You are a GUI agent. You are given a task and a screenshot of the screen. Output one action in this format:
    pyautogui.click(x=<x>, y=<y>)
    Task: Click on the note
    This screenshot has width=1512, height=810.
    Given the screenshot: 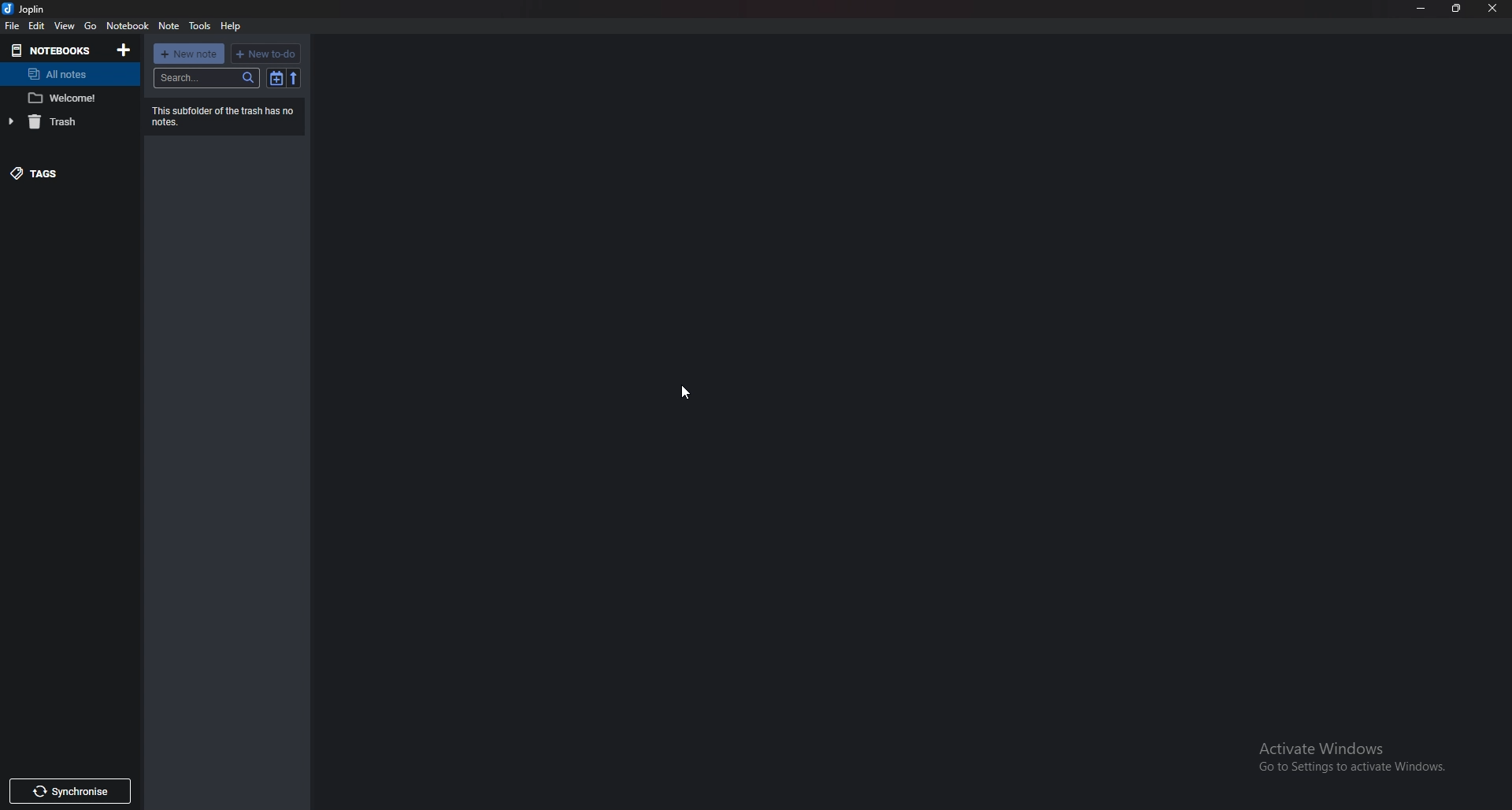 What is the action you would take?
    pyautogui.click(x=66, y=98)
    